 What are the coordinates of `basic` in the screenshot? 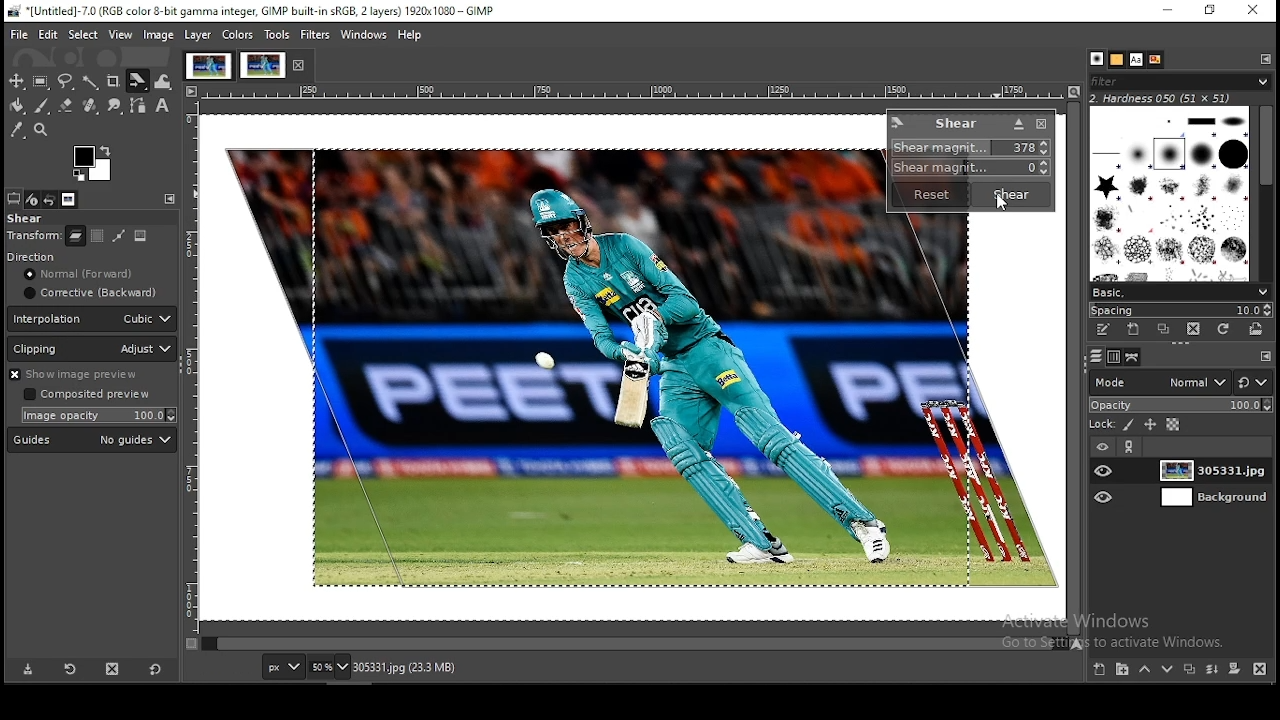 It's located at (1180, 293).